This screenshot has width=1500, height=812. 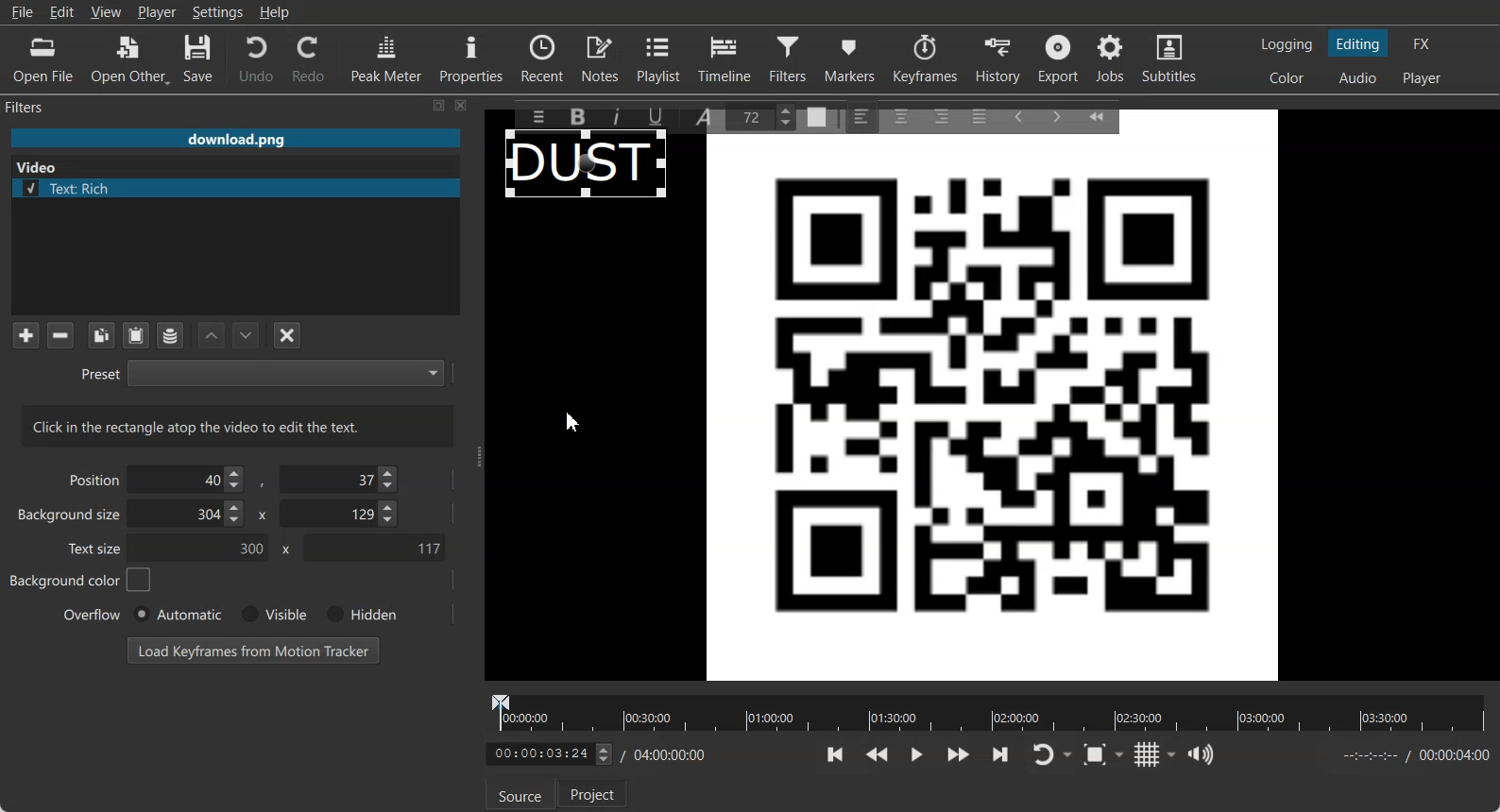 What do you see at coordinates (264, 483) in the screenshot?
I see `,` at bounding box center [264, 483].